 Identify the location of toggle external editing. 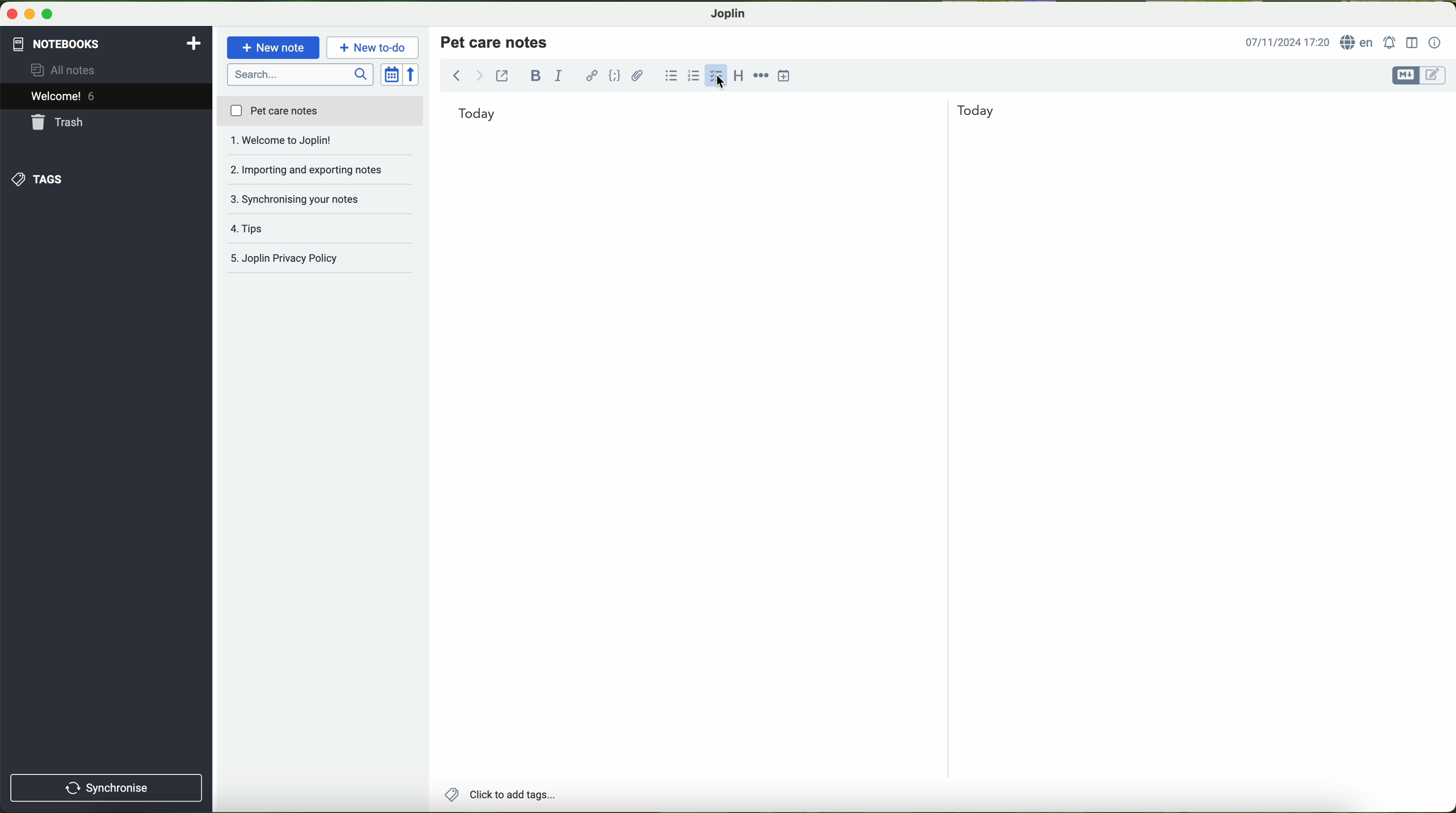
(502, 75).